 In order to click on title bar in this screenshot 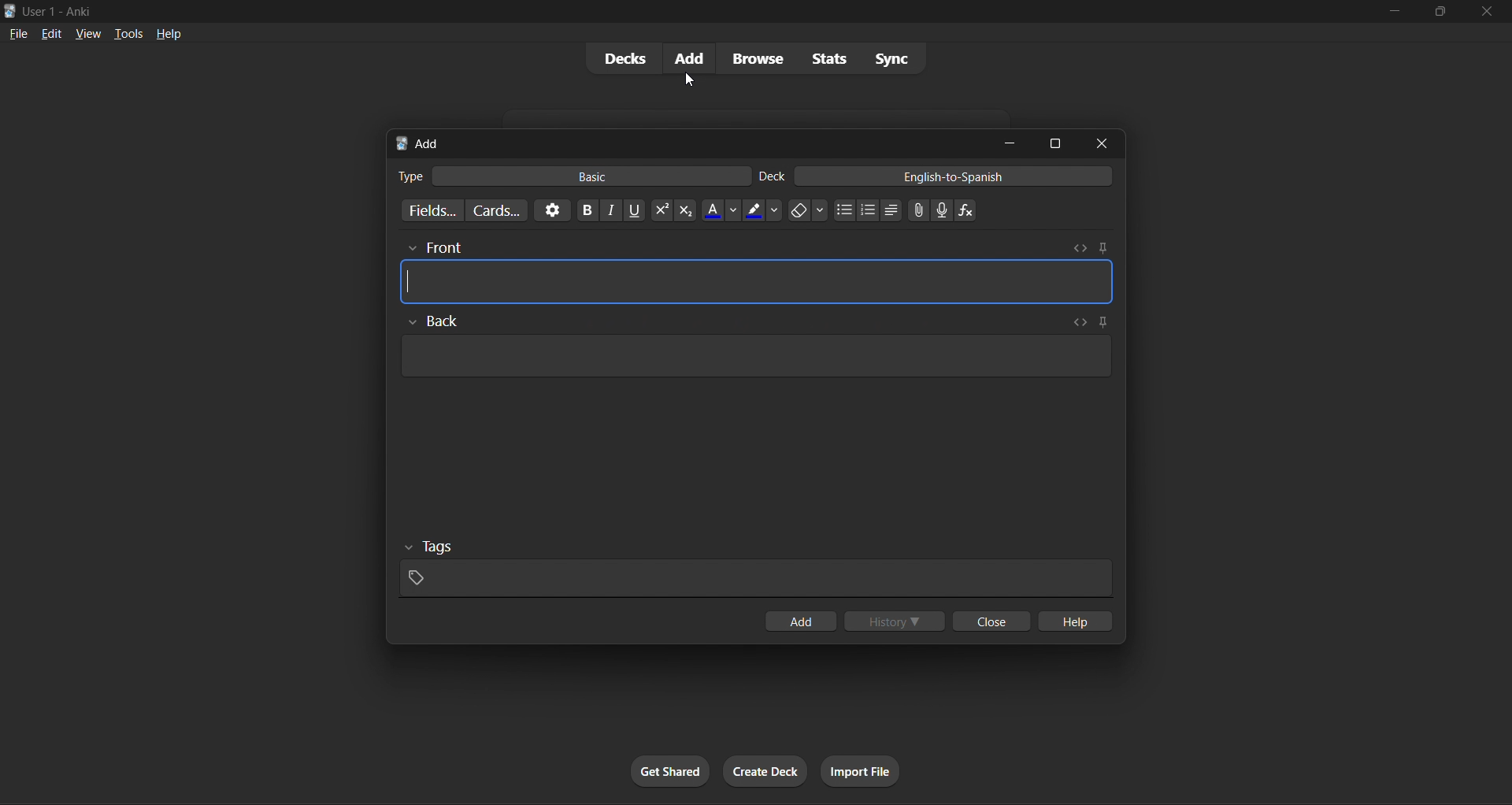, I will do `click(663, 9)`.